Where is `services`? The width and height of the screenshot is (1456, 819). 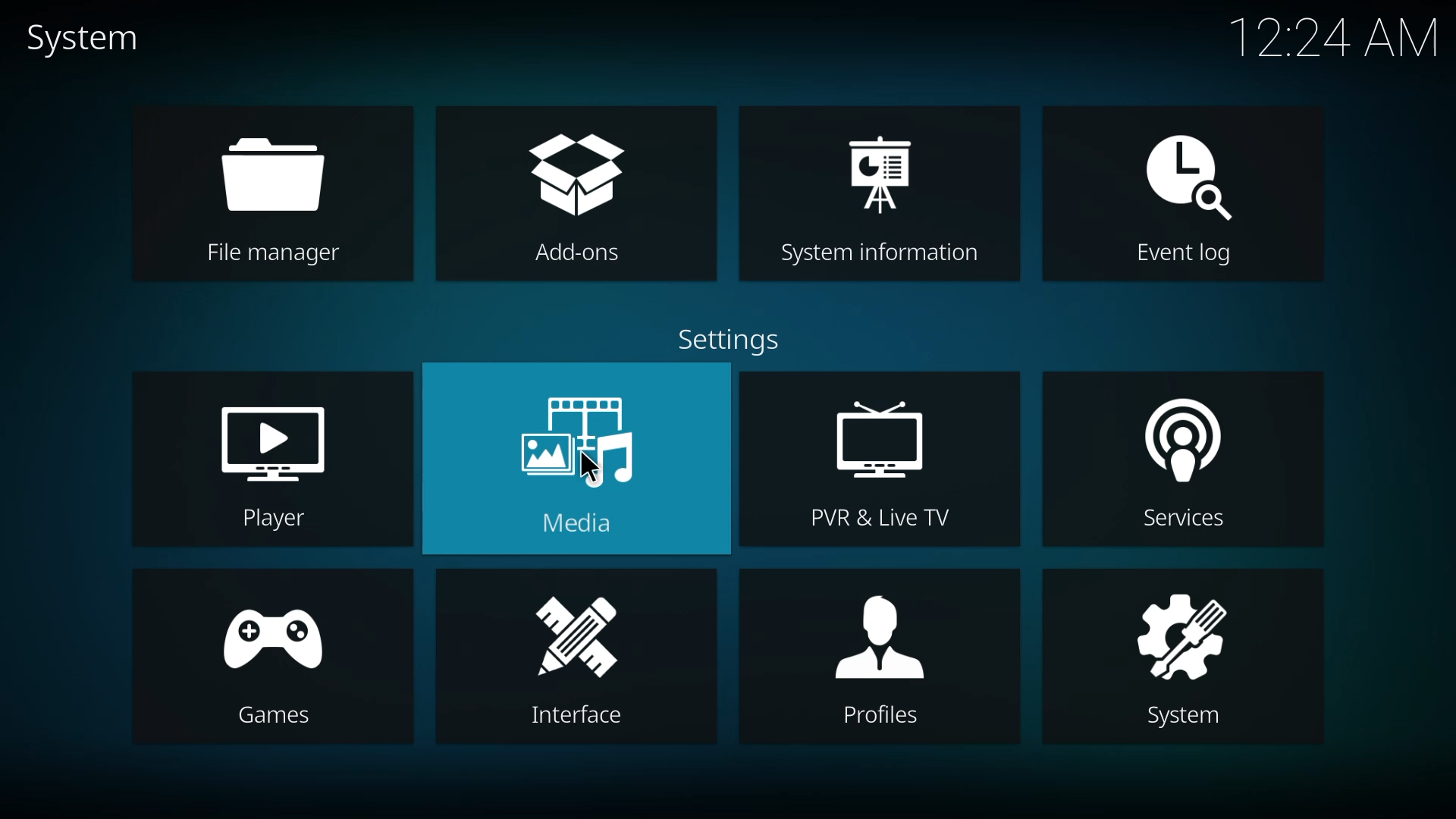
services is located at coordinates (1185, 460).